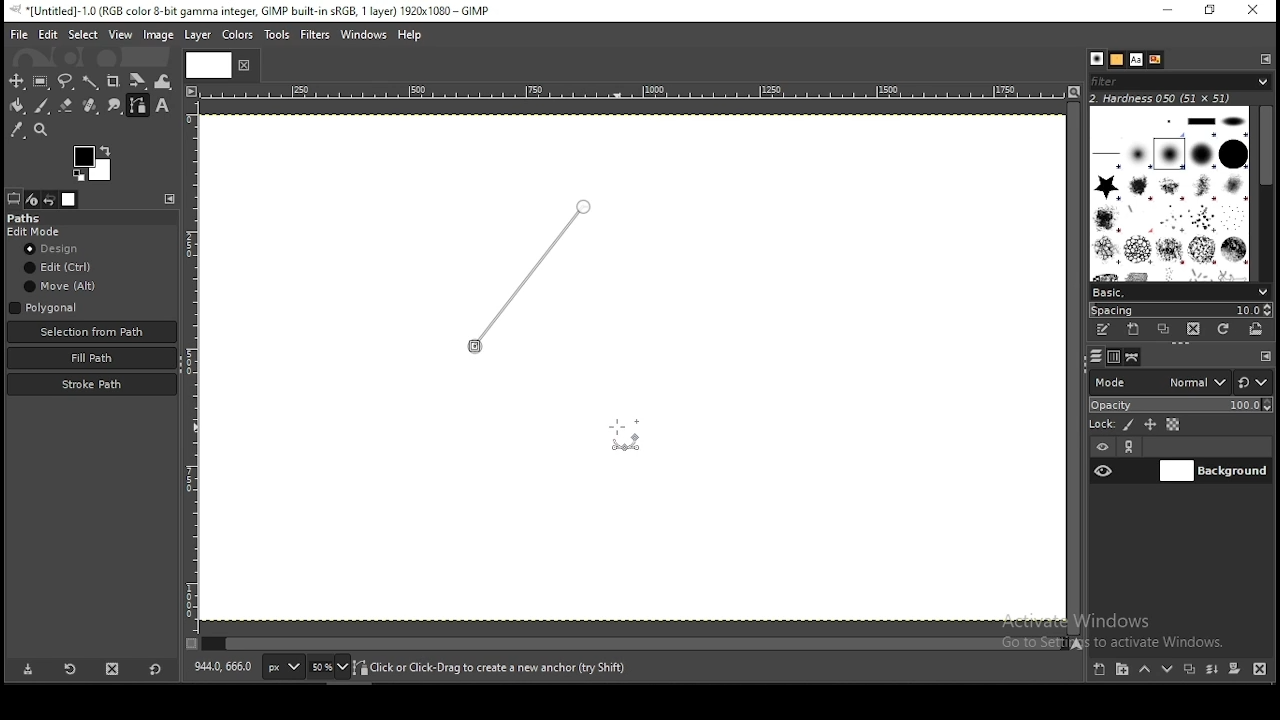 Image resolution: width=1280 pixels, height=720 pixels. Describe the element at coordinates (61, 286) in the screenshot. I see `move` at that location.